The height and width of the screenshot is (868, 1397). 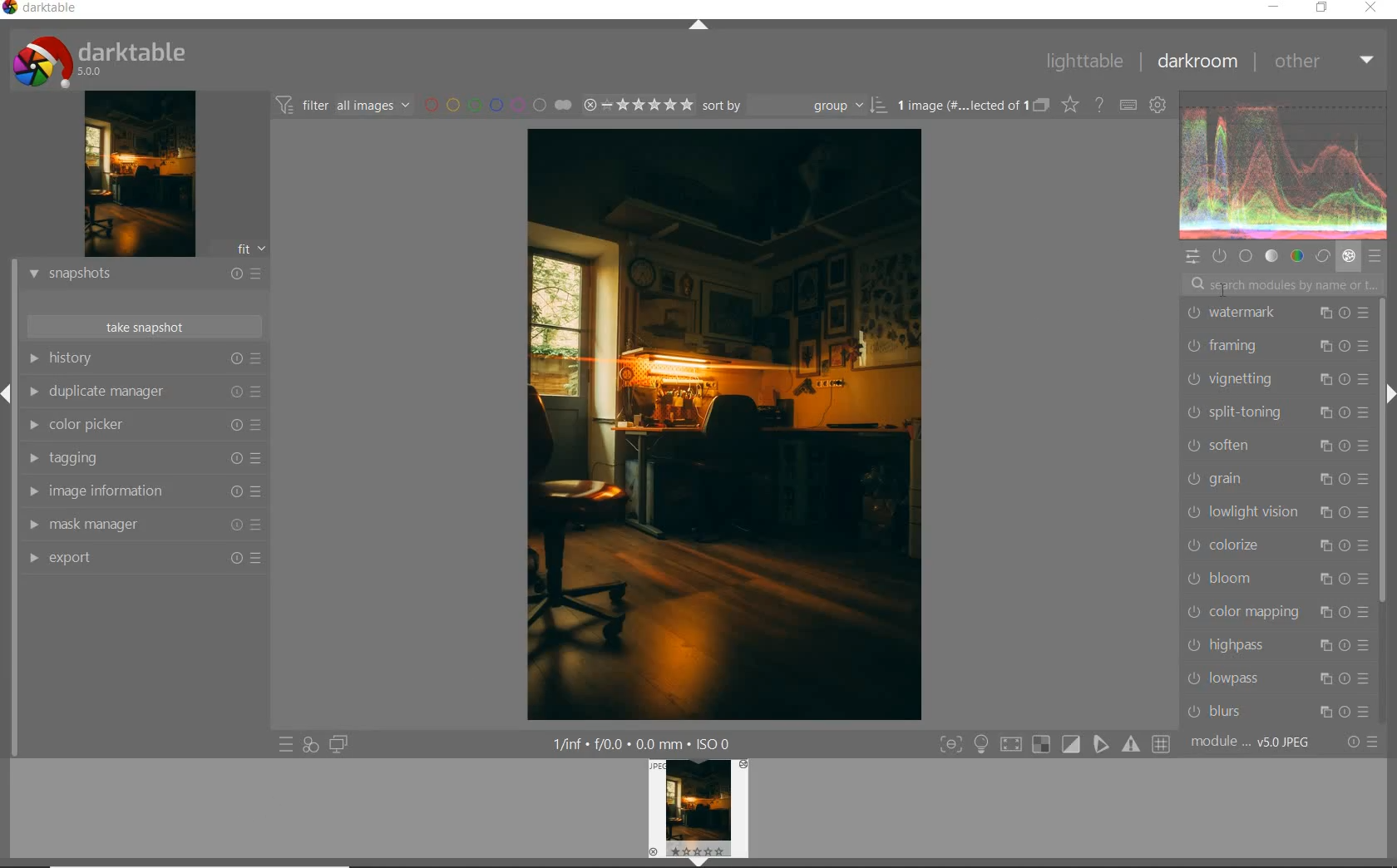 What do you see at coordinates (698, 28) in the screenshot?
I see `expand/collapse` at bounding box center [698, 28].